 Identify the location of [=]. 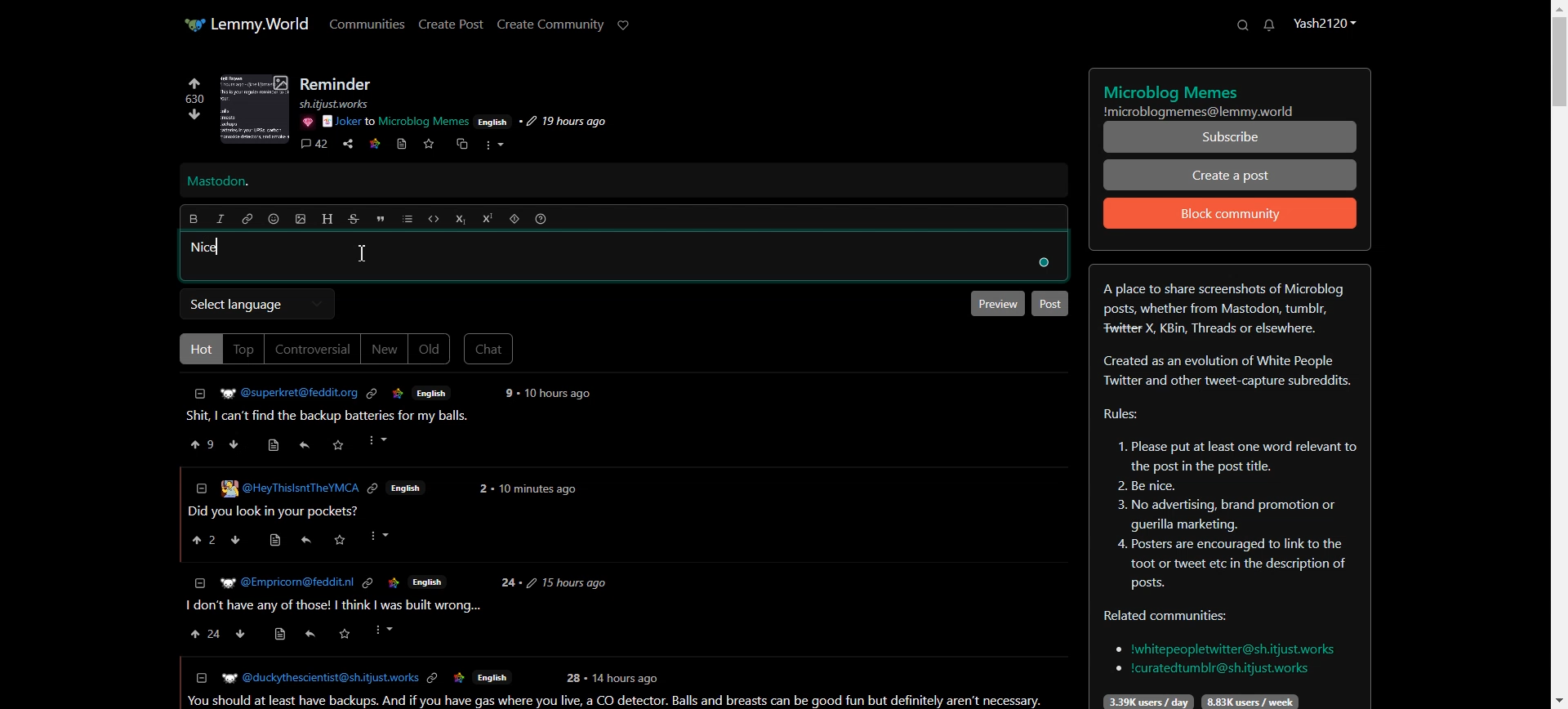
(200, 677).